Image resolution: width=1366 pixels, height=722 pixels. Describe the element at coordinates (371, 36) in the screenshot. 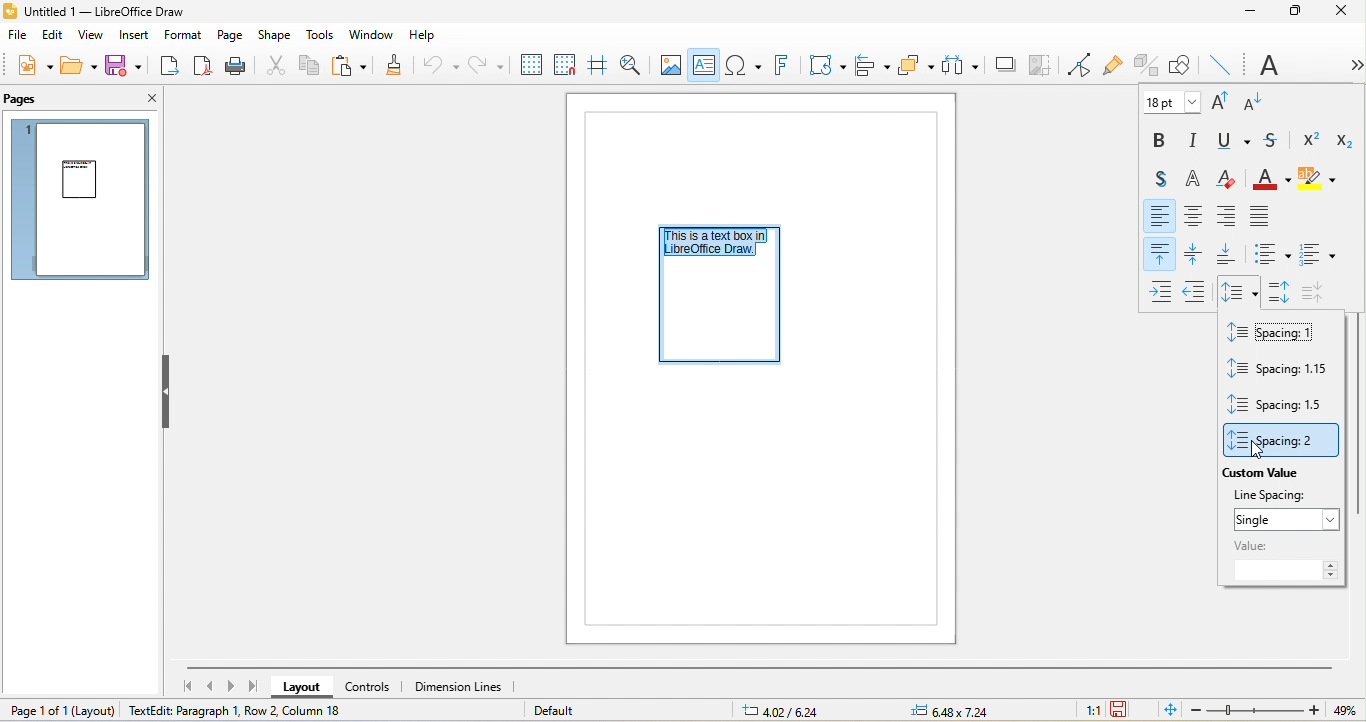

I see `window` at that location.